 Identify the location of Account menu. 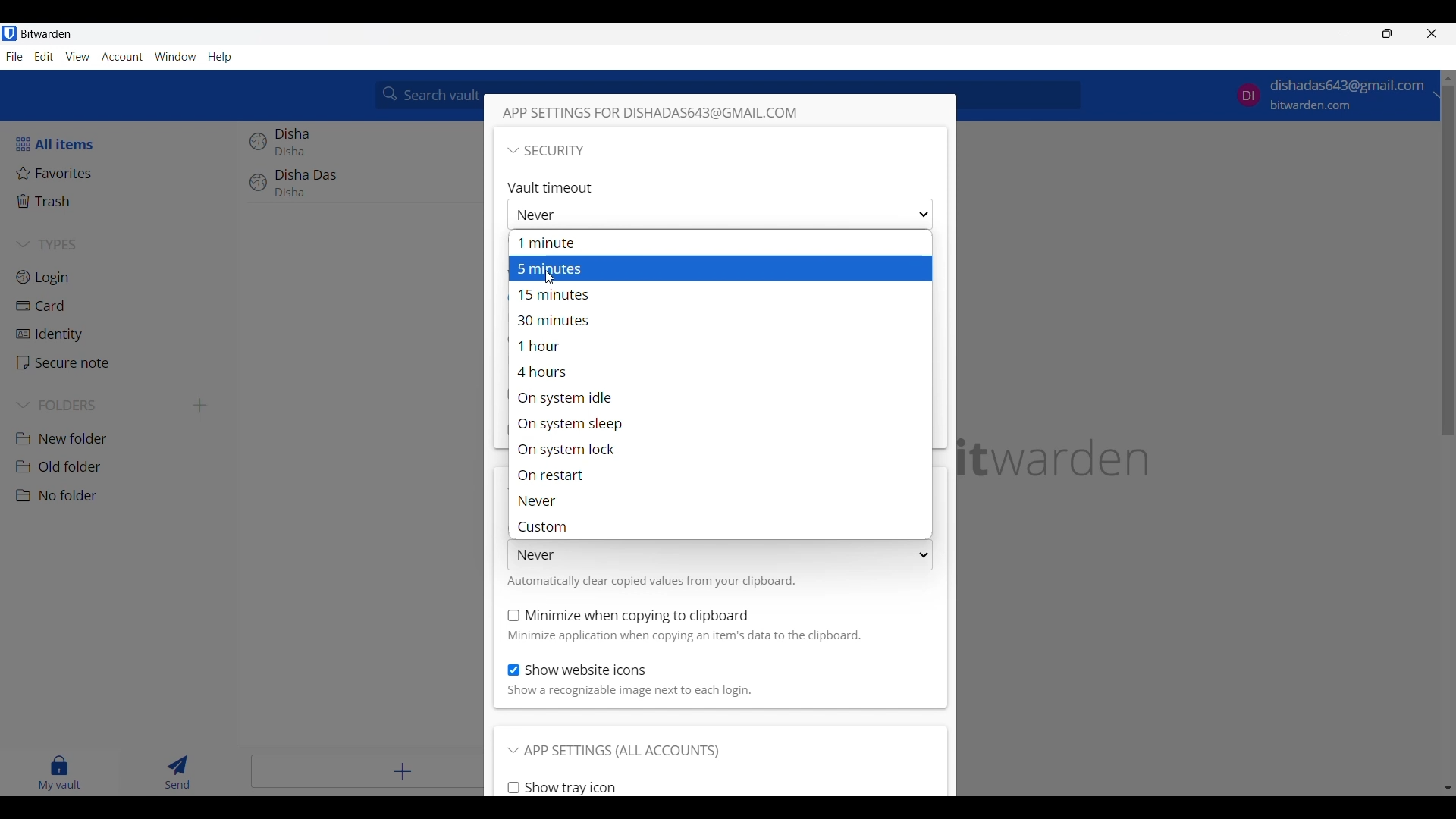
(122, 57).